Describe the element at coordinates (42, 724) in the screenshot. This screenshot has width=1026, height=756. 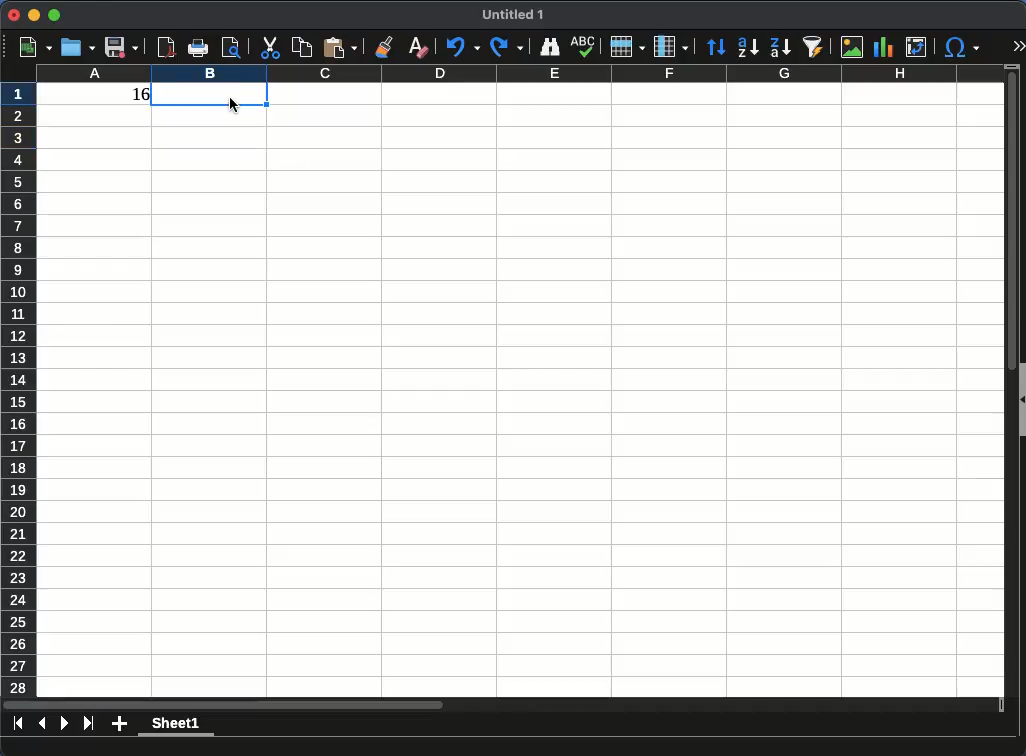
I see `previous sheet` at that location.